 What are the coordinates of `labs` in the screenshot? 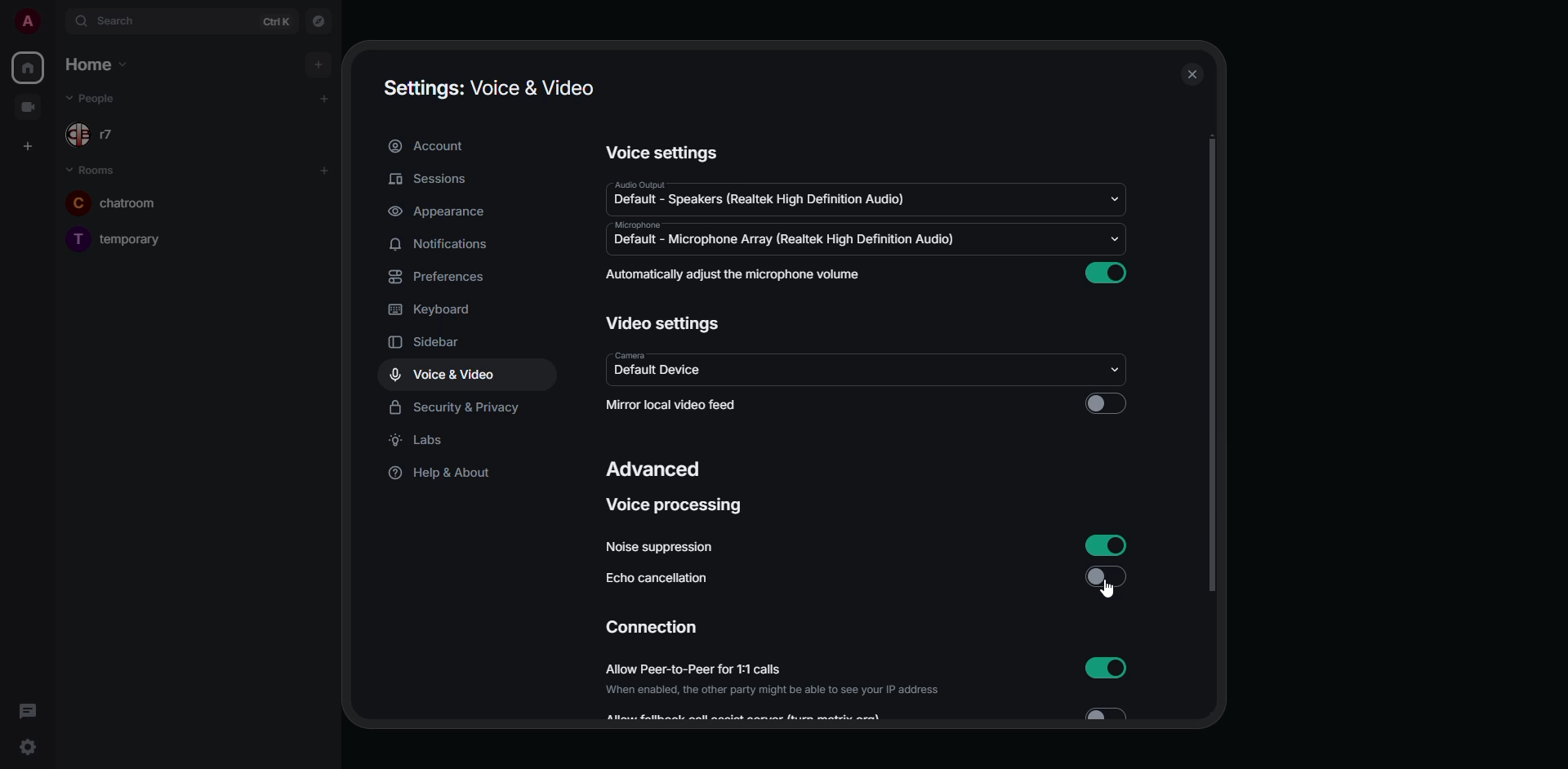 It's located at (425, 441).